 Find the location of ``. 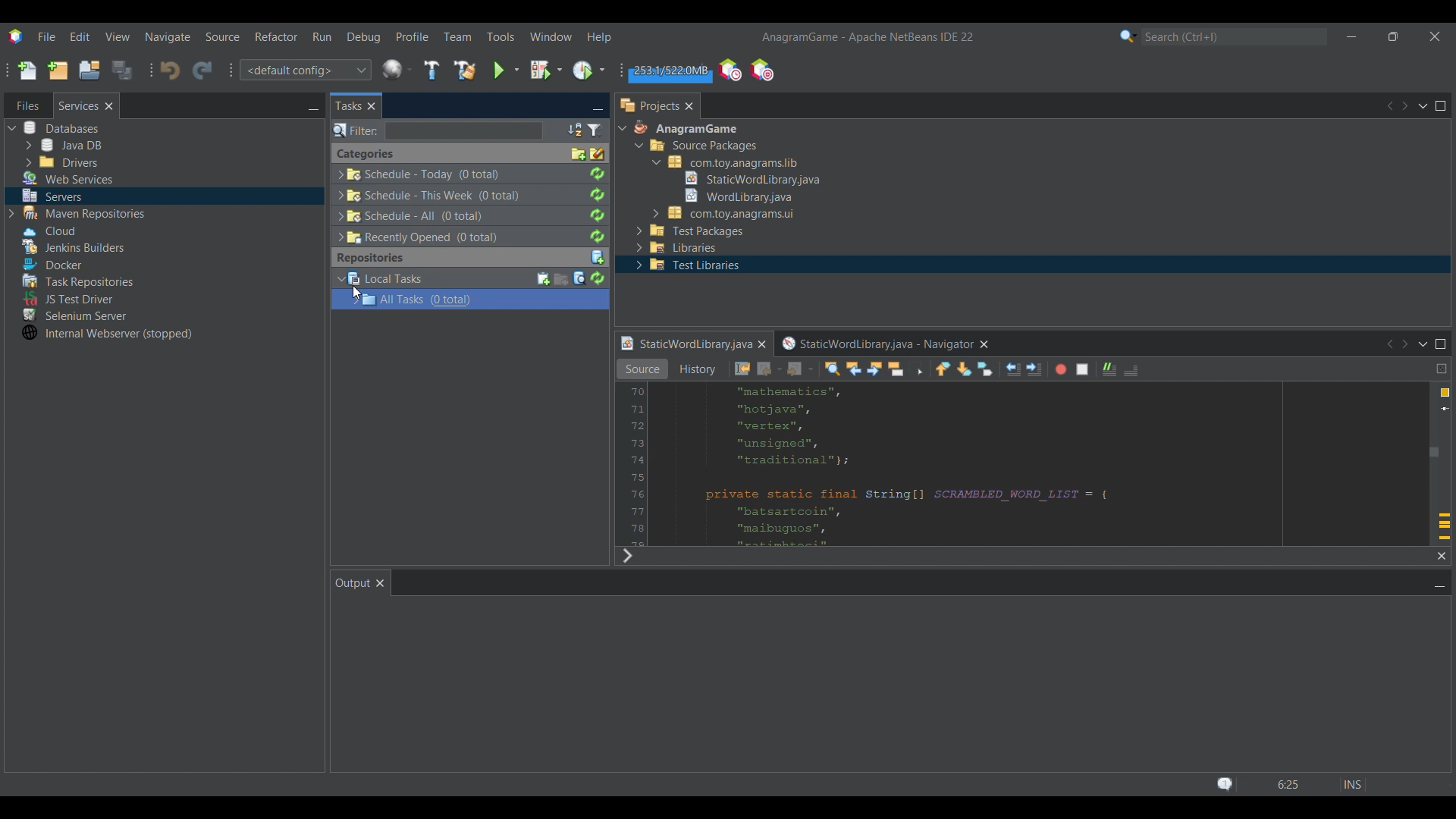

 is located at coordinates (359, 103).